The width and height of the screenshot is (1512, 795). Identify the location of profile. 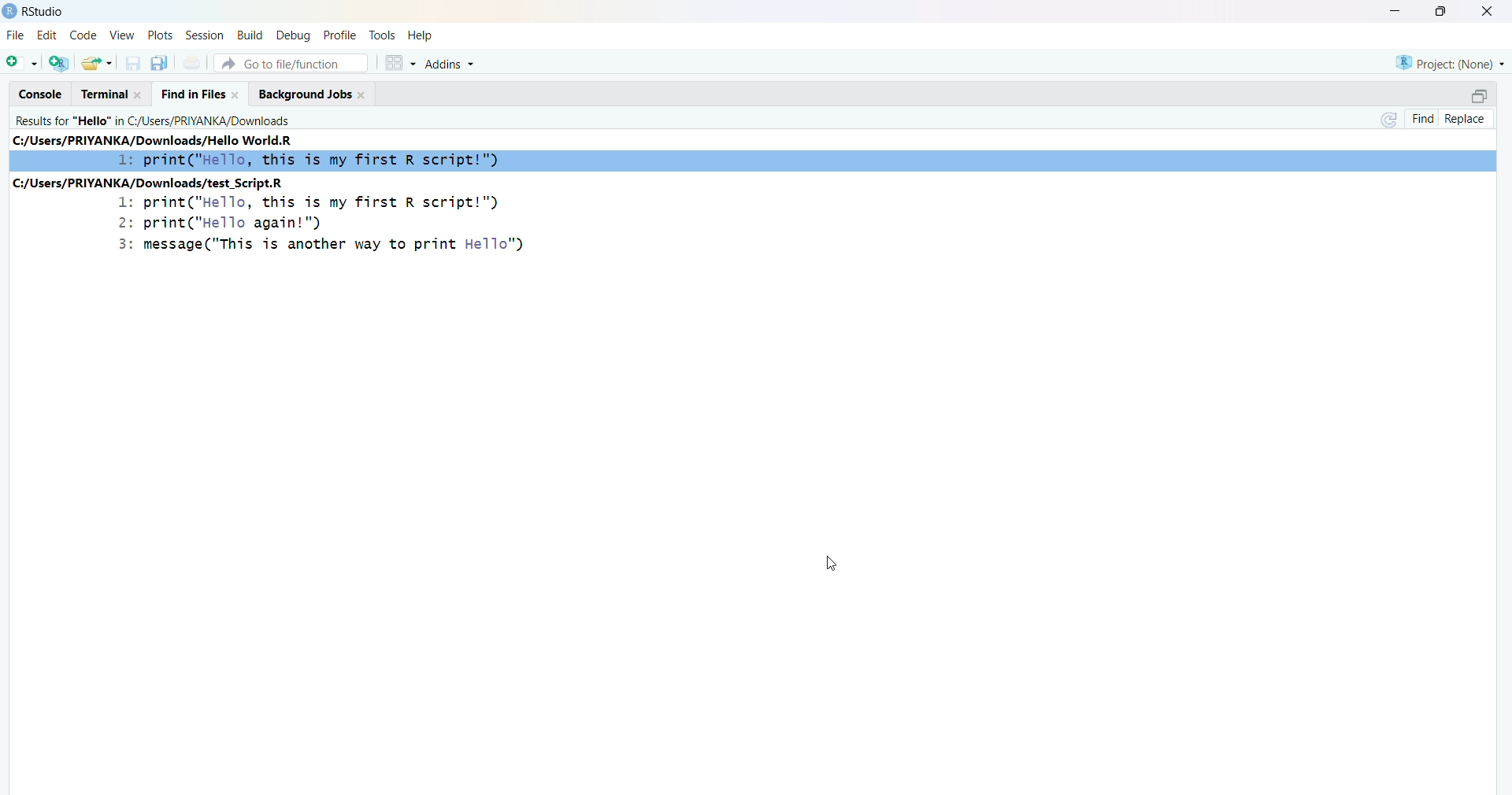
(343, 35).